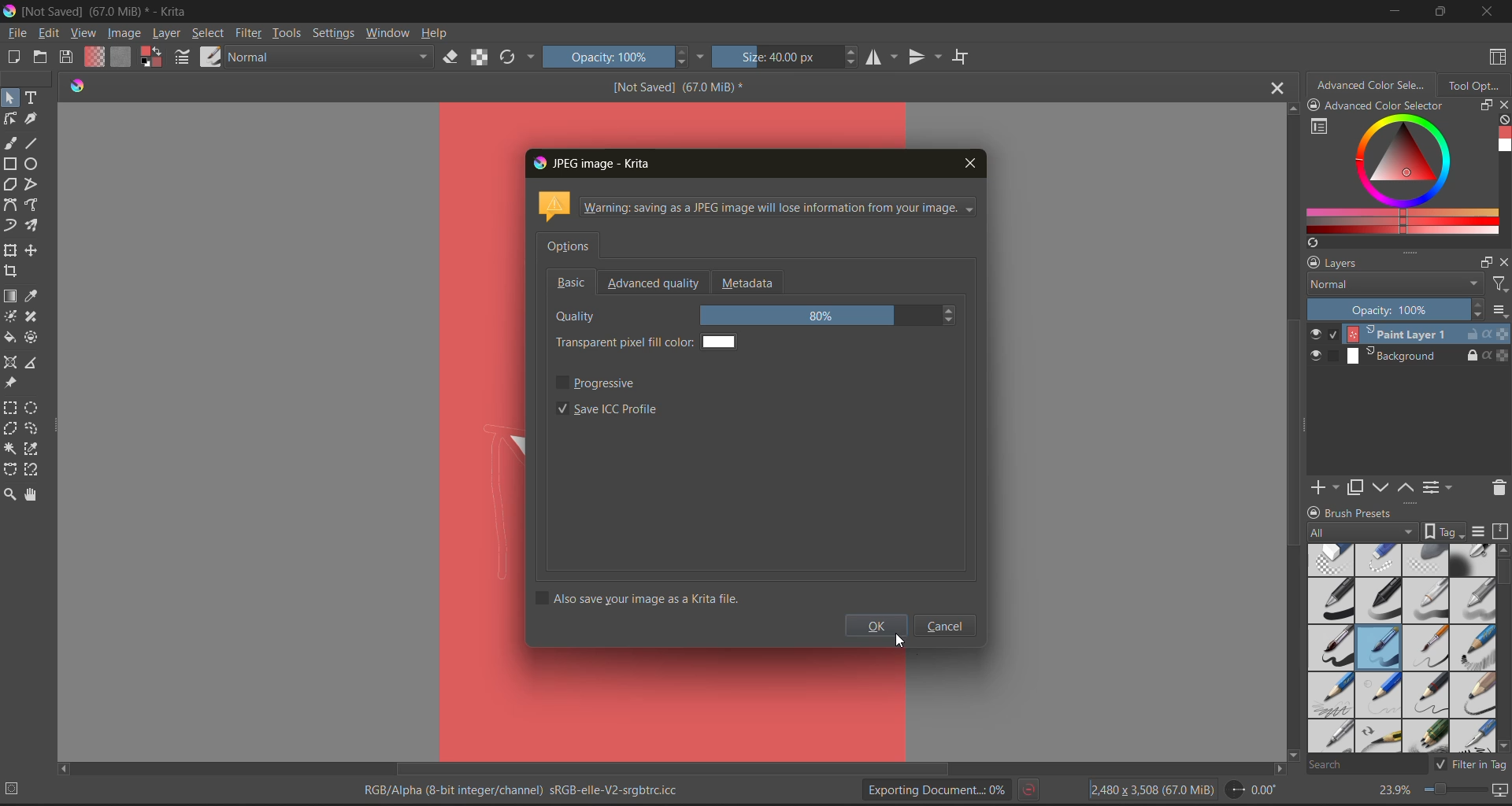 The height and width of the screenshot is (806, 1512). I want to click on tools, so click(11, 206).